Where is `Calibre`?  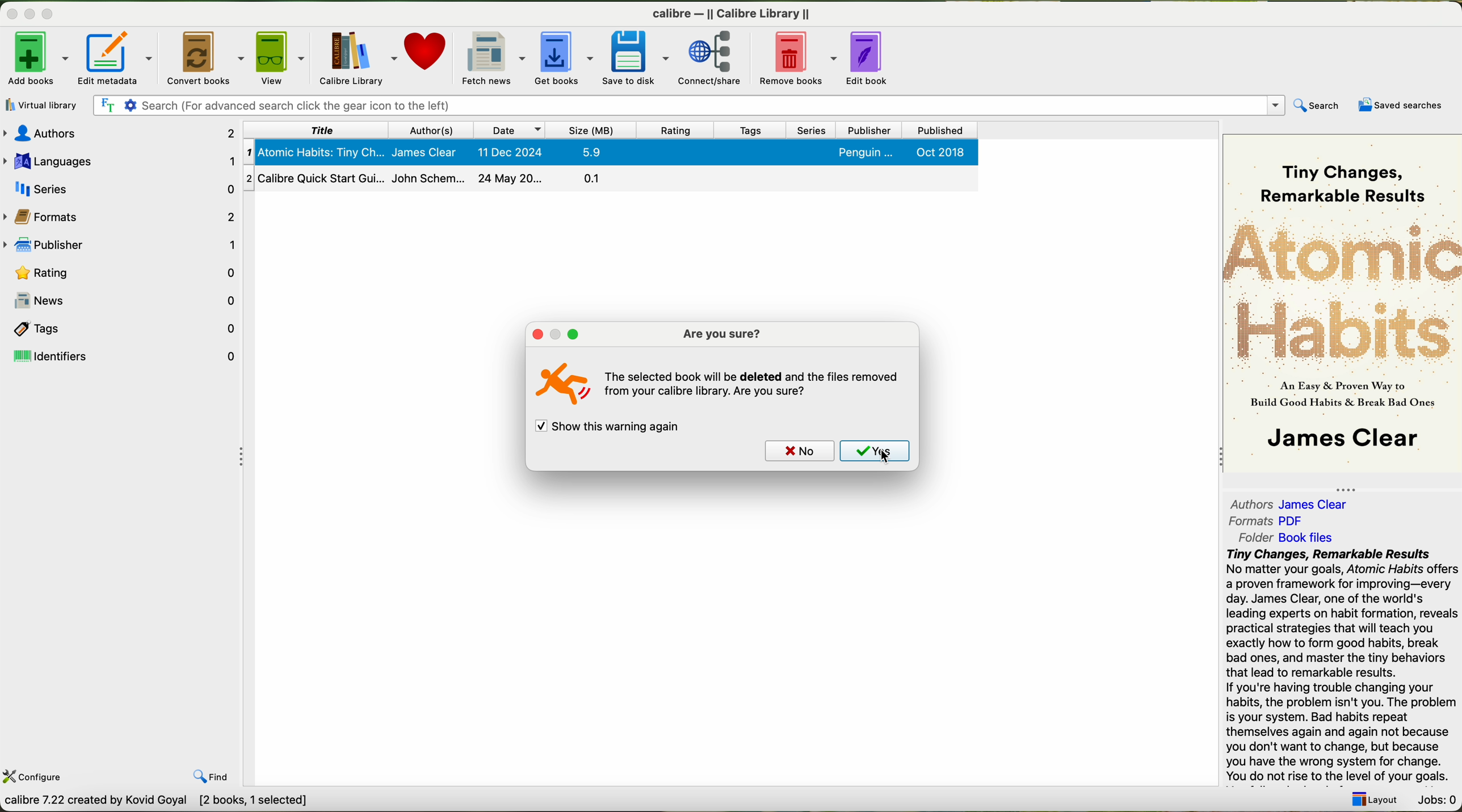
Calibre is located at coordinates (731, 14).